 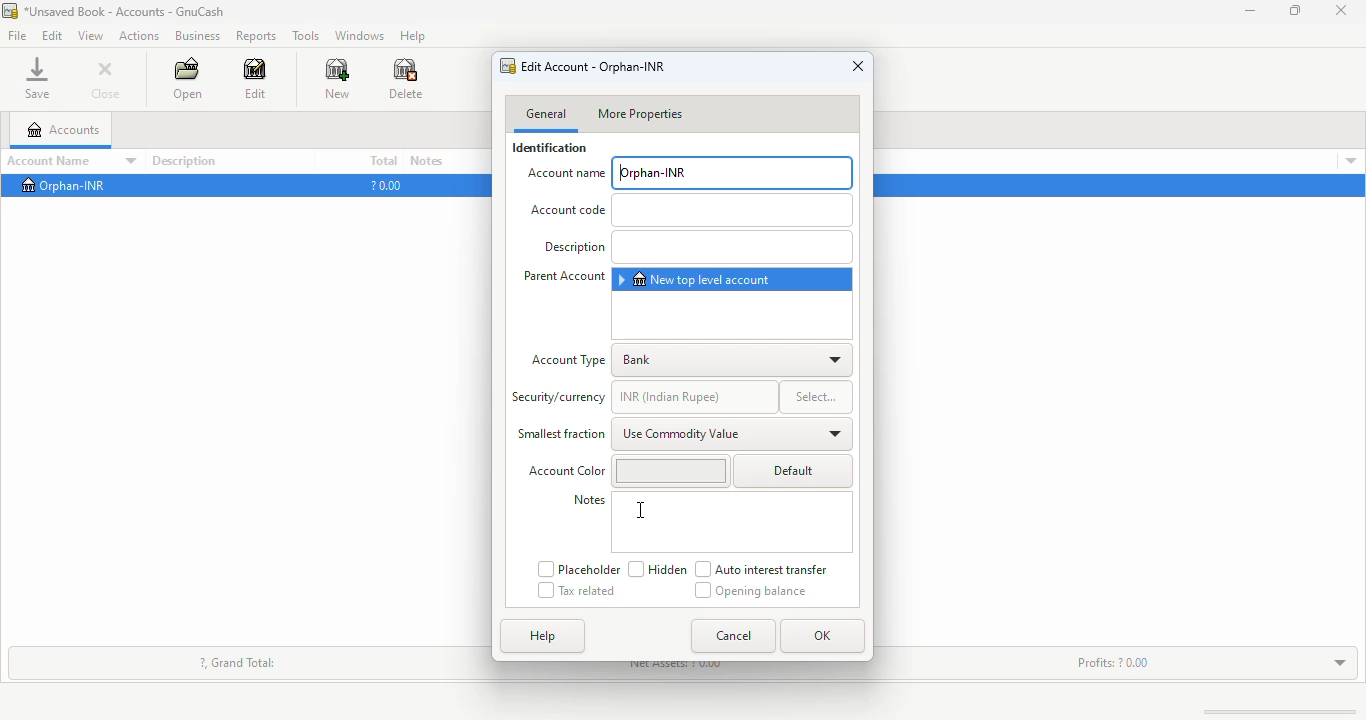 What do you see at coordinates (815, 395) in the screenshot?
I see `select` at bounding box center [815, 395].